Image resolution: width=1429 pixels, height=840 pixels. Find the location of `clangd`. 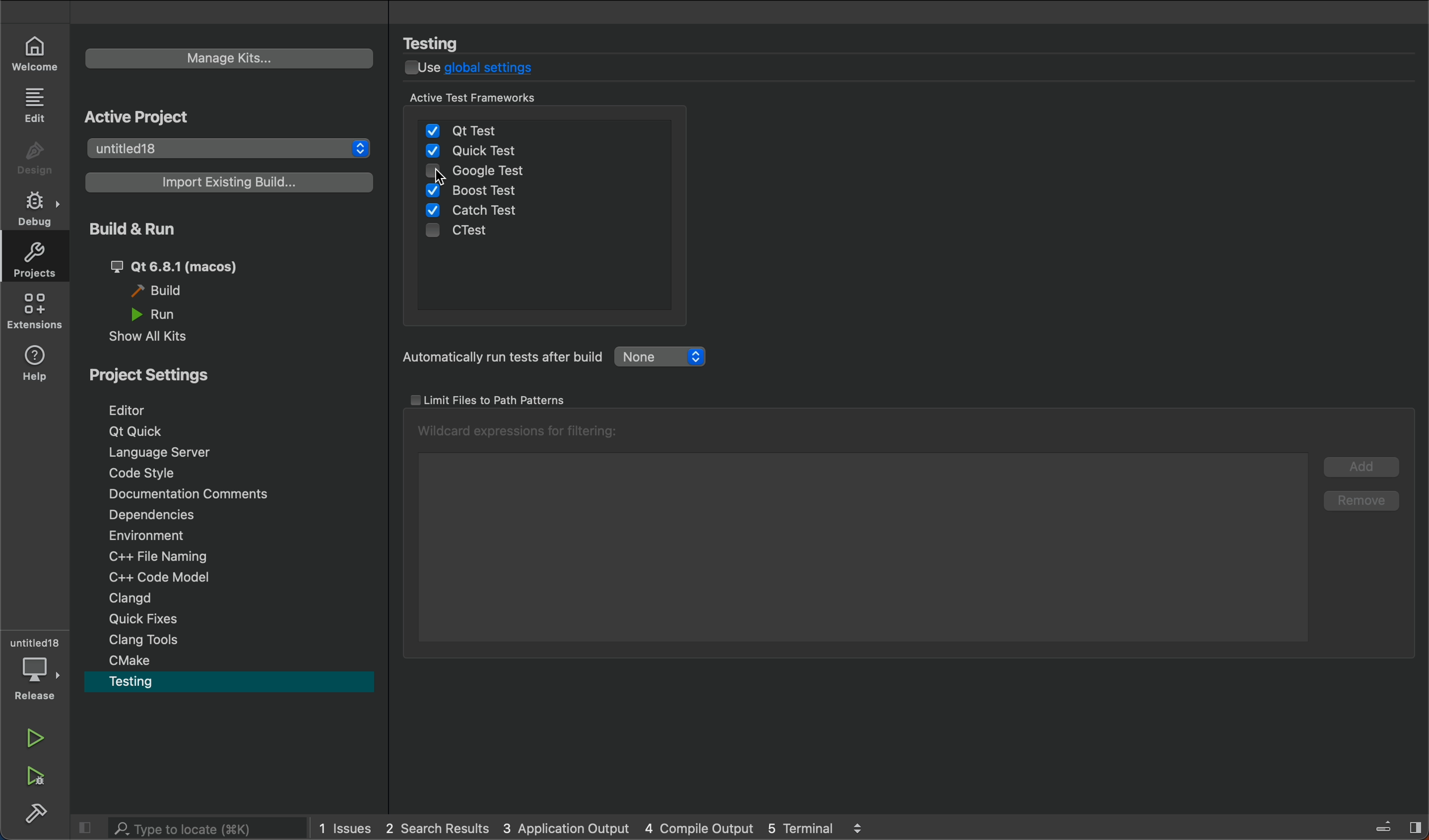

clangd is located at coordinates (234, 600).